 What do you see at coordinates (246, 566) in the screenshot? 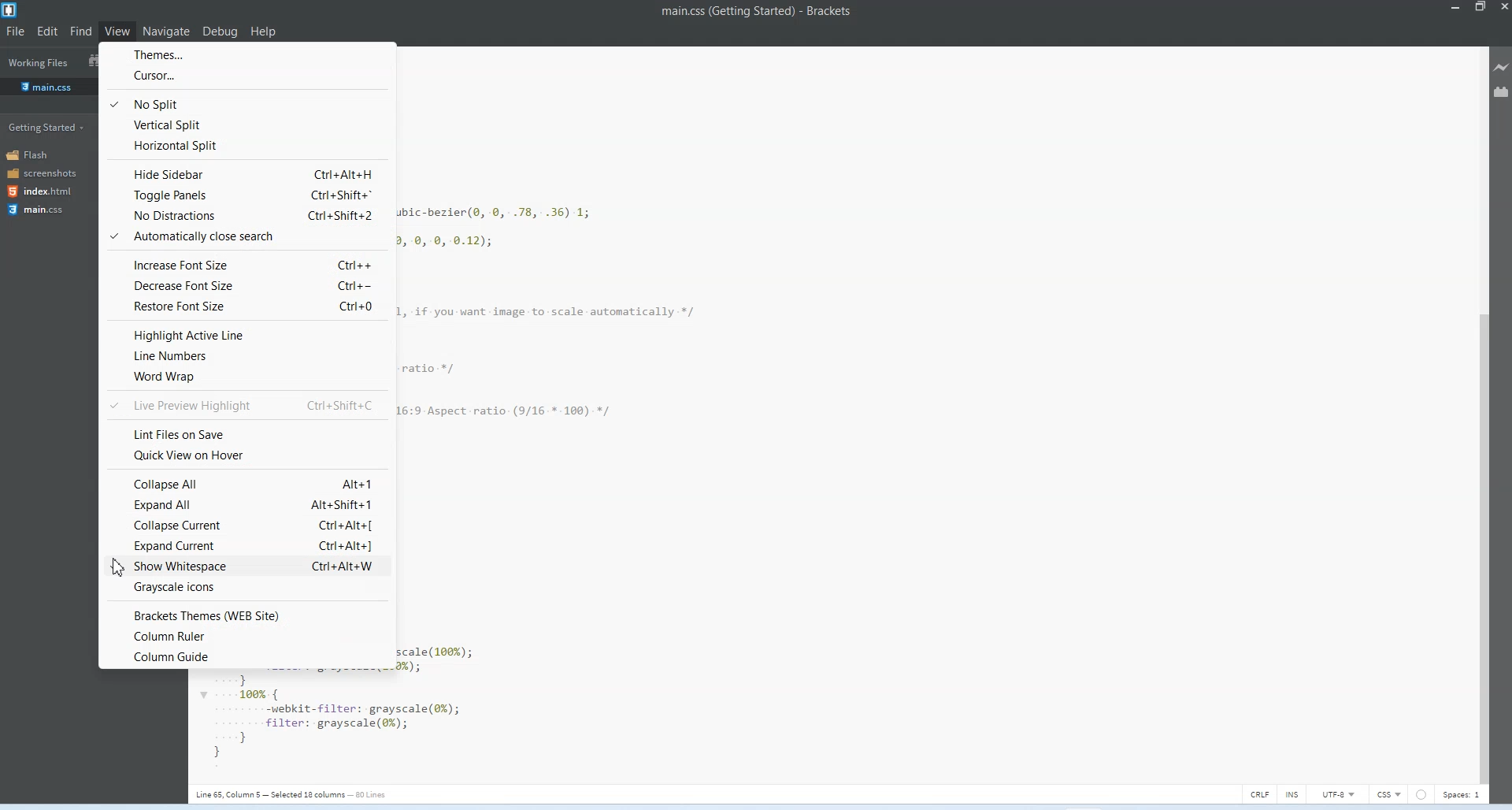
I see `Expand current` at bounding box center [246, 566].